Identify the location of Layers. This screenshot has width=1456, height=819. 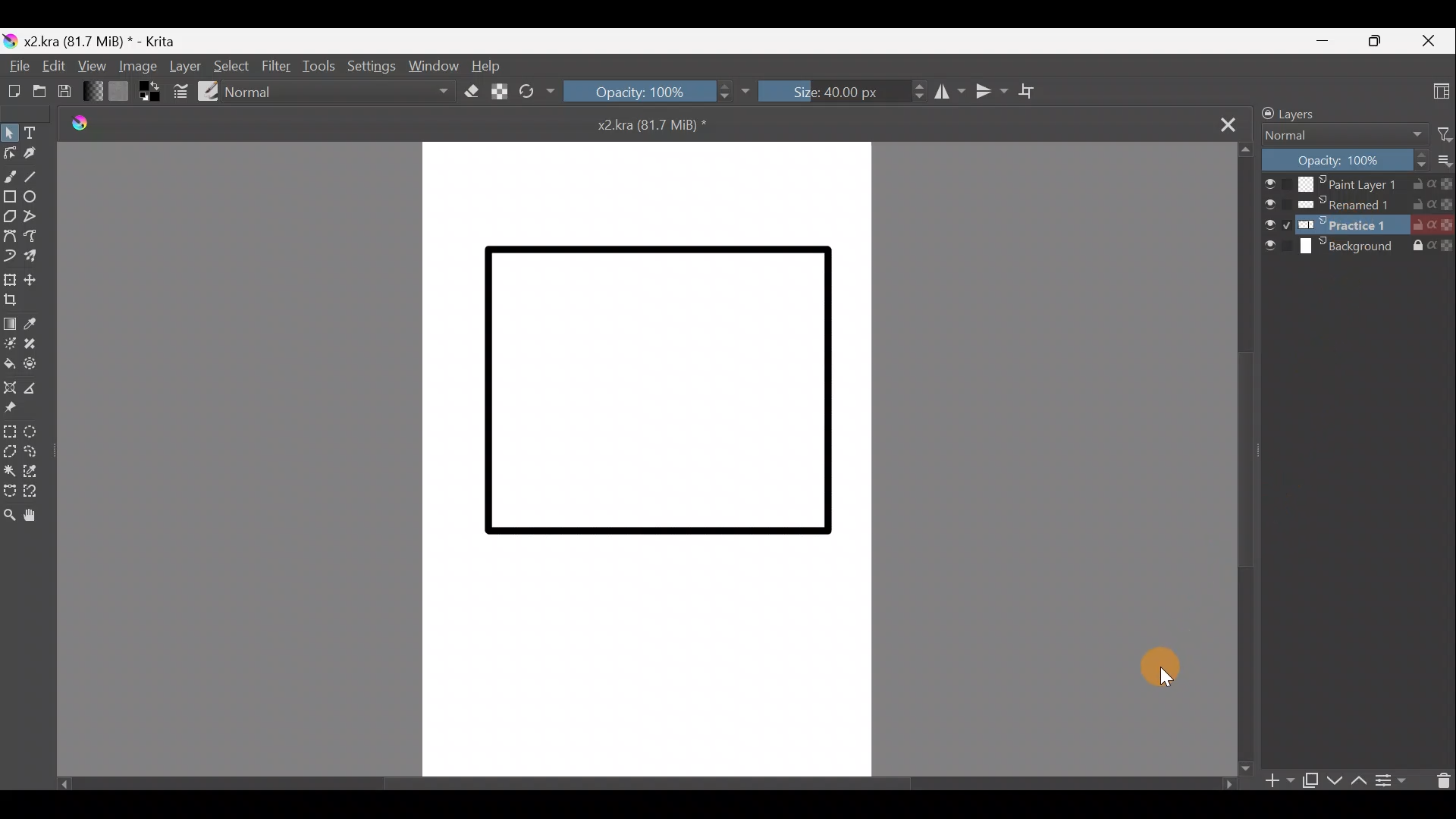
(1314, 114).